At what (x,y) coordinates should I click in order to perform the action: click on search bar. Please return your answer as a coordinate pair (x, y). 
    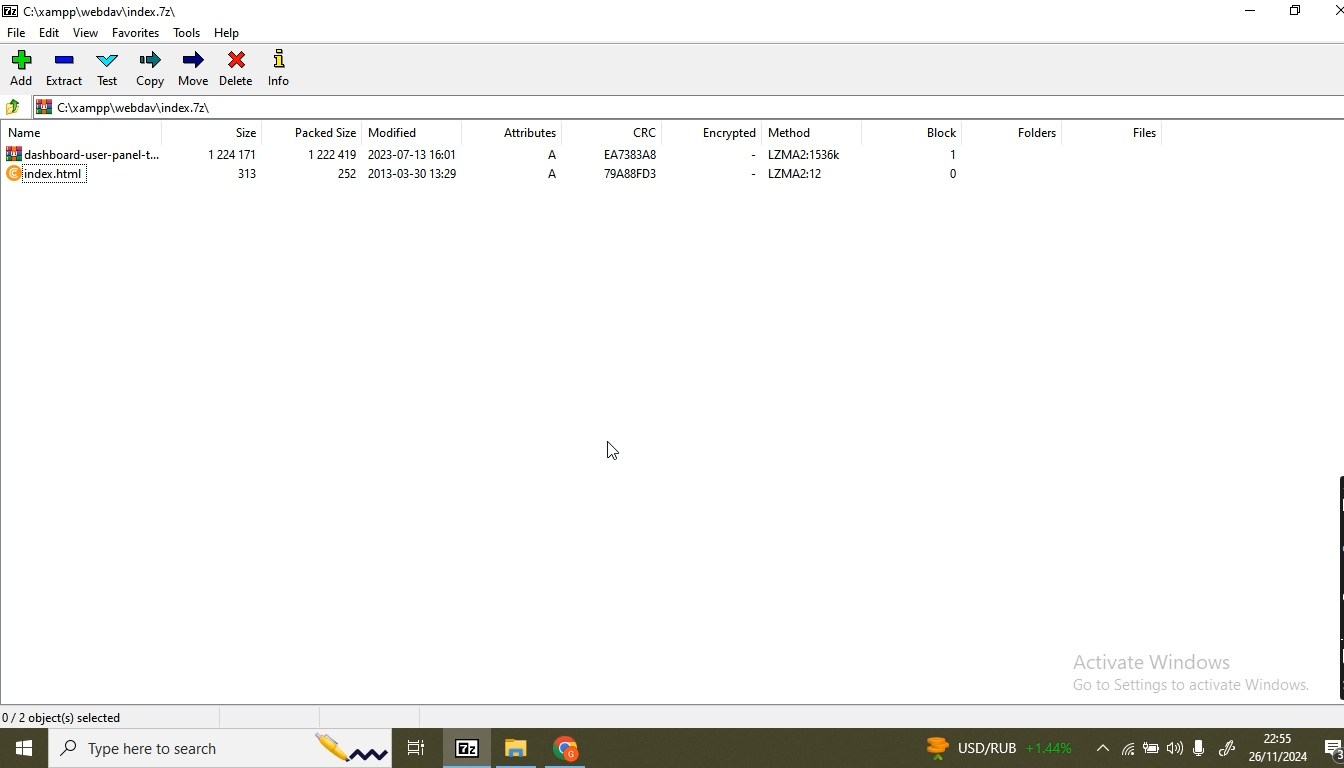
    Looking at the image, I should click on (223, 749).